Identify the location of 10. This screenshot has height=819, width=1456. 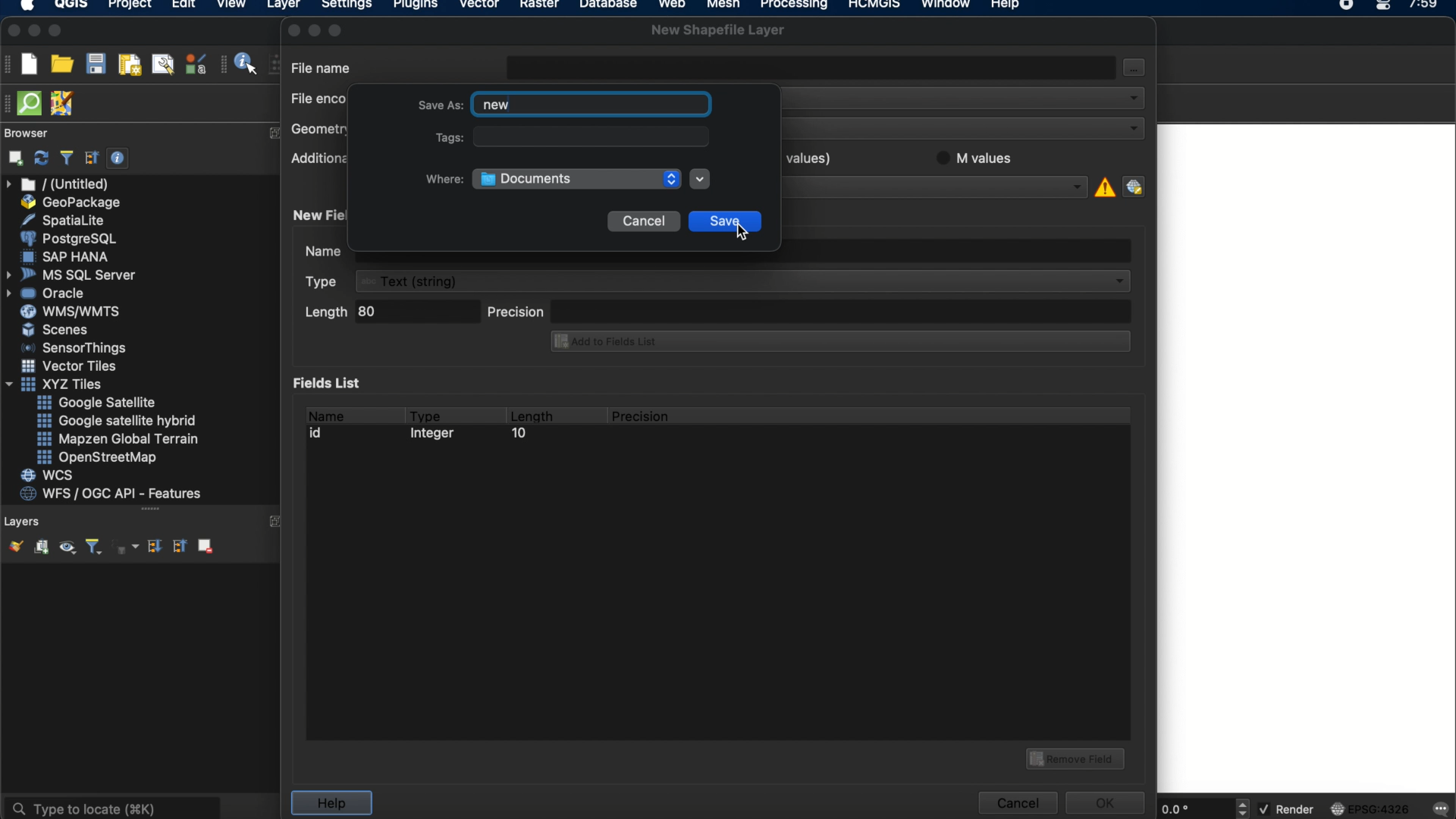
(518, 435).